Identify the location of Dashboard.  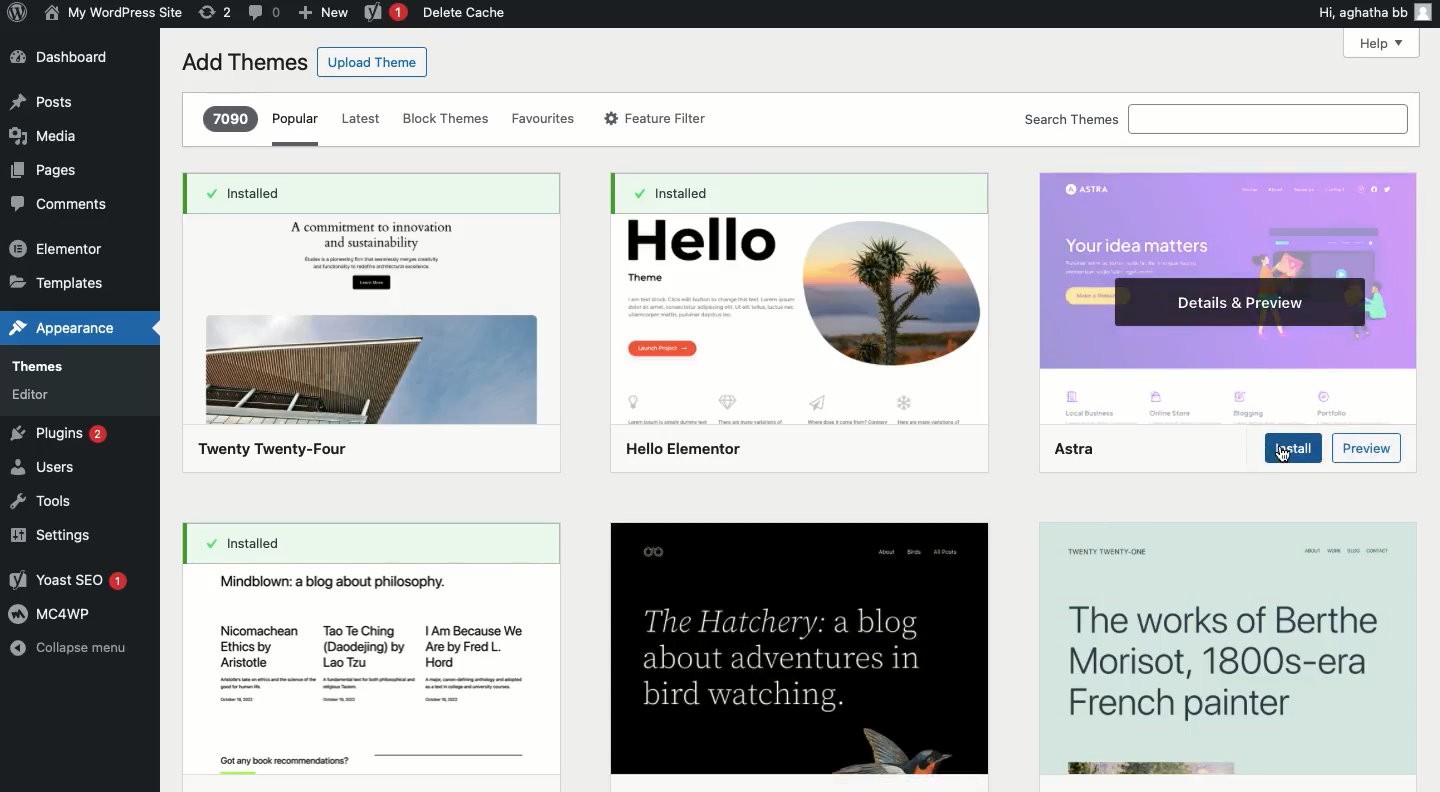
(64, 57).